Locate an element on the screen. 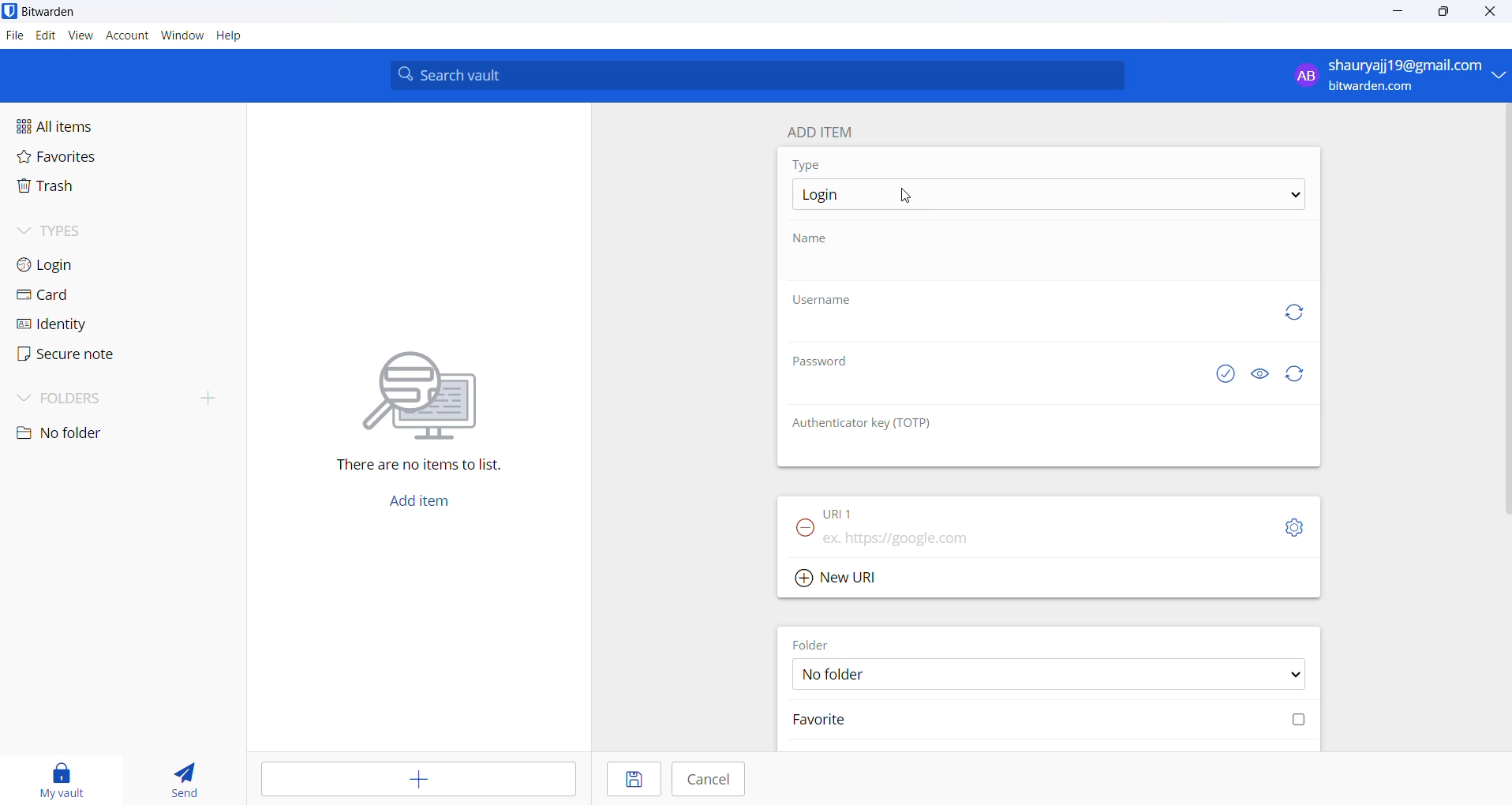 This screenshot has width=1512, height=805. add is located at coordinates (412, 779).